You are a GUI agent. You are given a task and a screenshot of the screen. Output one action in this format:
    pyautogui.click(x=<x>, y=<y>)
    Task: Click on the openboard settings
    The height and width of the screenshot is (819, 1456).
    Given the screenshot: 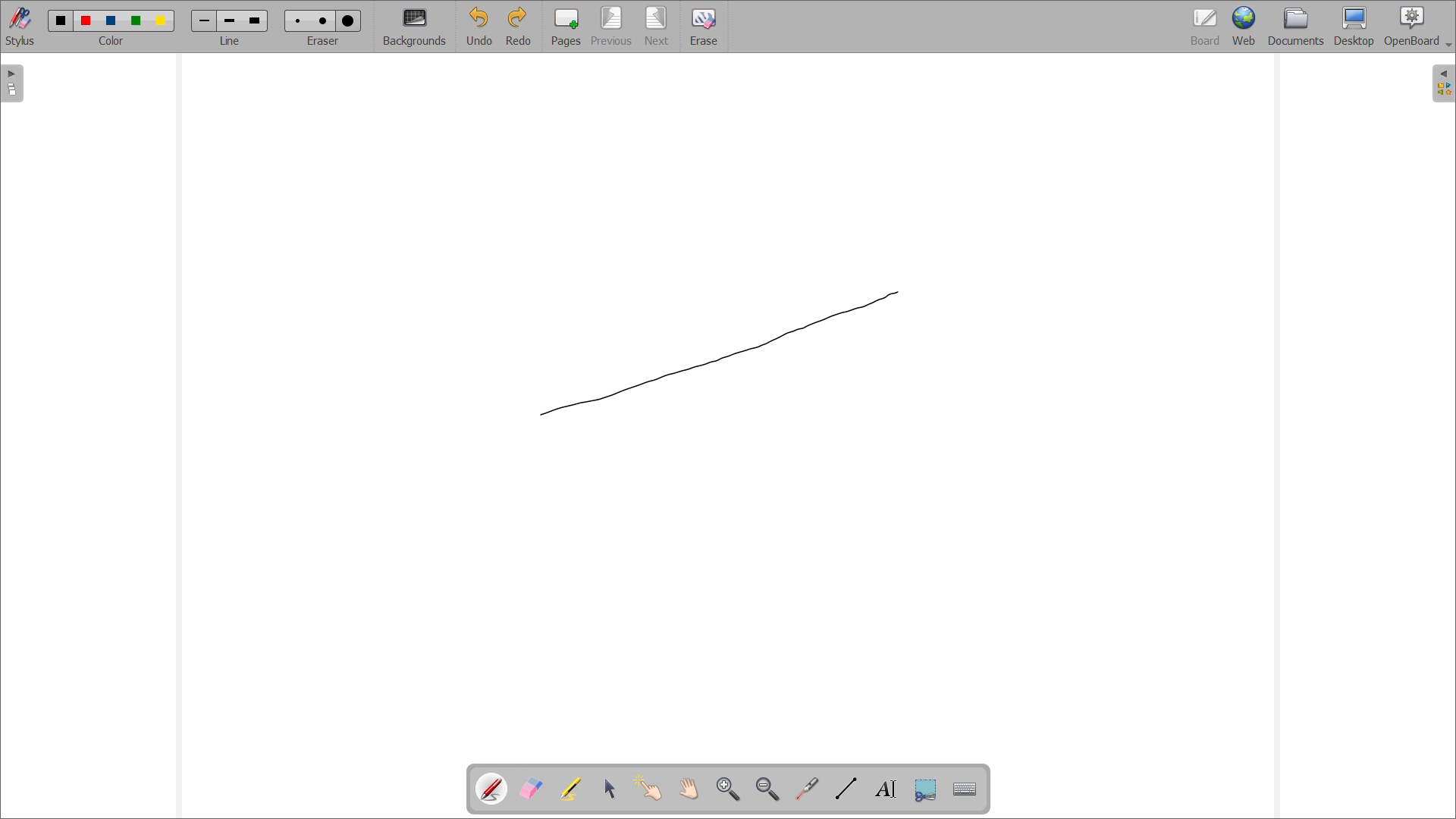 What is the action you would take?
    pyautogui.click(x=1417, y=27)
    